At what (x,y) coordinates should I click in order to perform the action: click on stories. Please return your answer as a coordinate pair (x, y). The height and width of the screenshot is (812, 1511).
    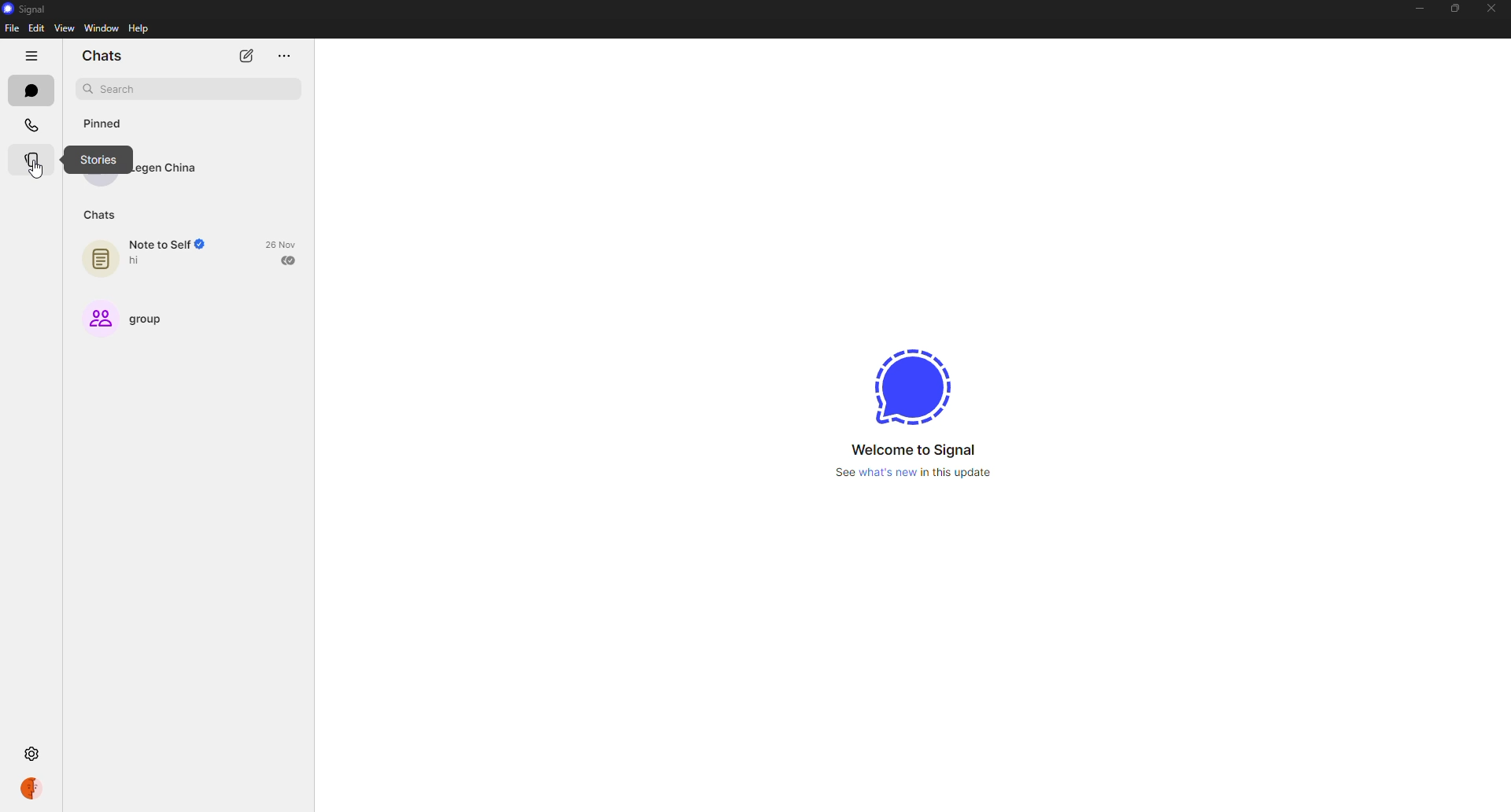
    Looking at the image, I should click on (100, 158).